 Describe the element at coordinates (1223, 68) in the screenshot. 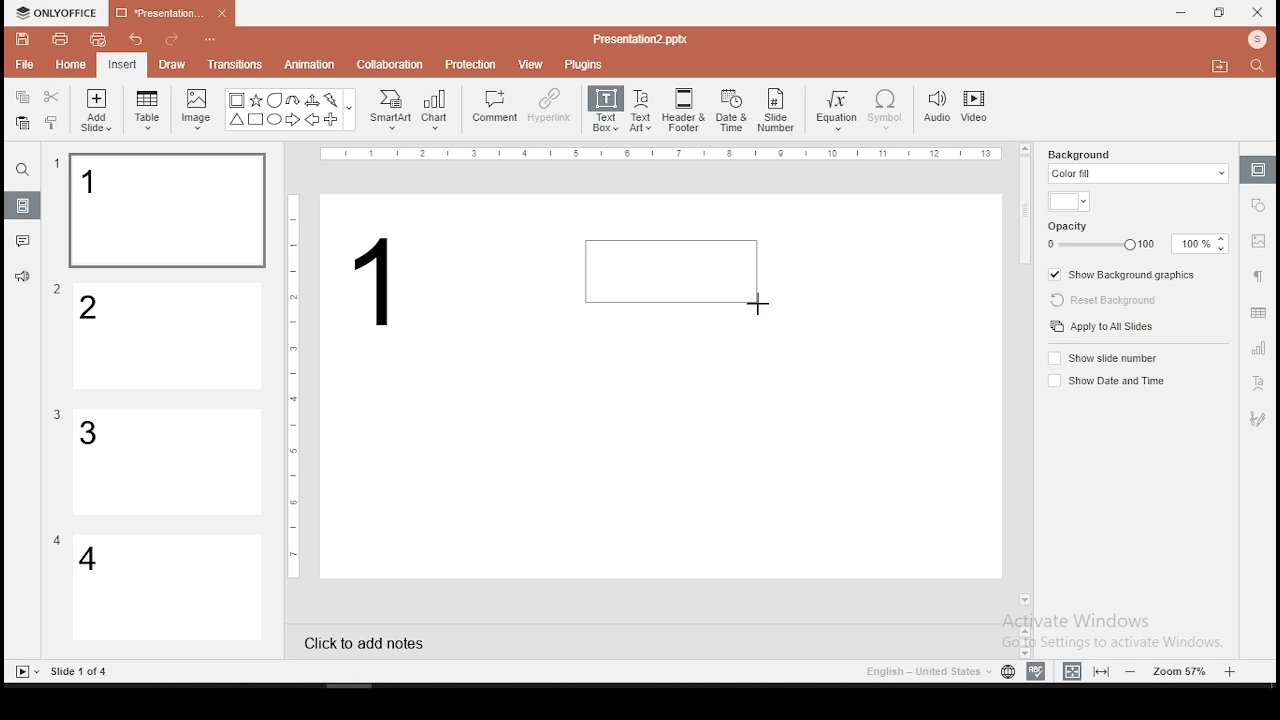

I see `Move to folder` at that location.